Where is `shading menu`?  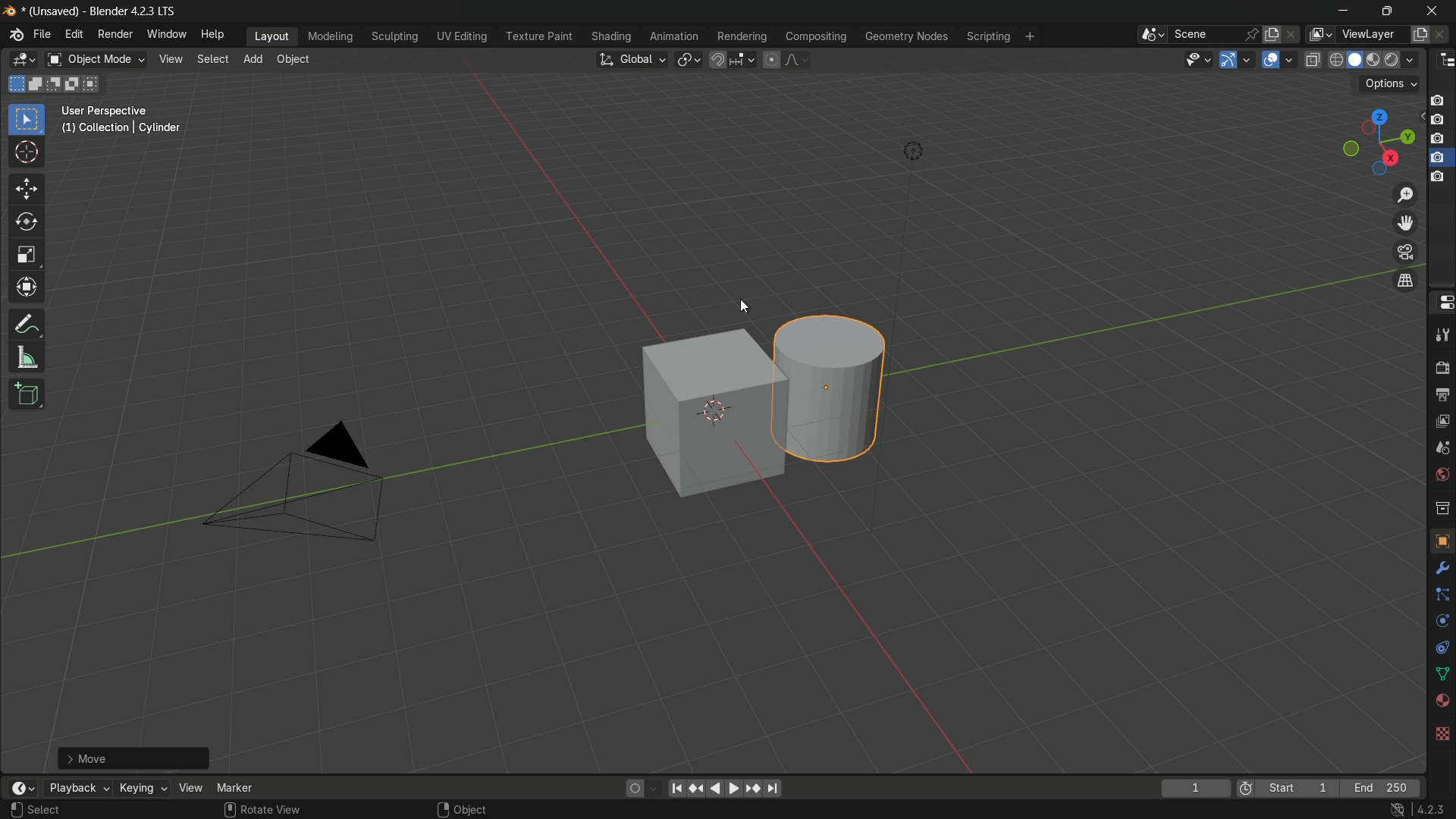 shading menu is located at coordinates (613, 37).